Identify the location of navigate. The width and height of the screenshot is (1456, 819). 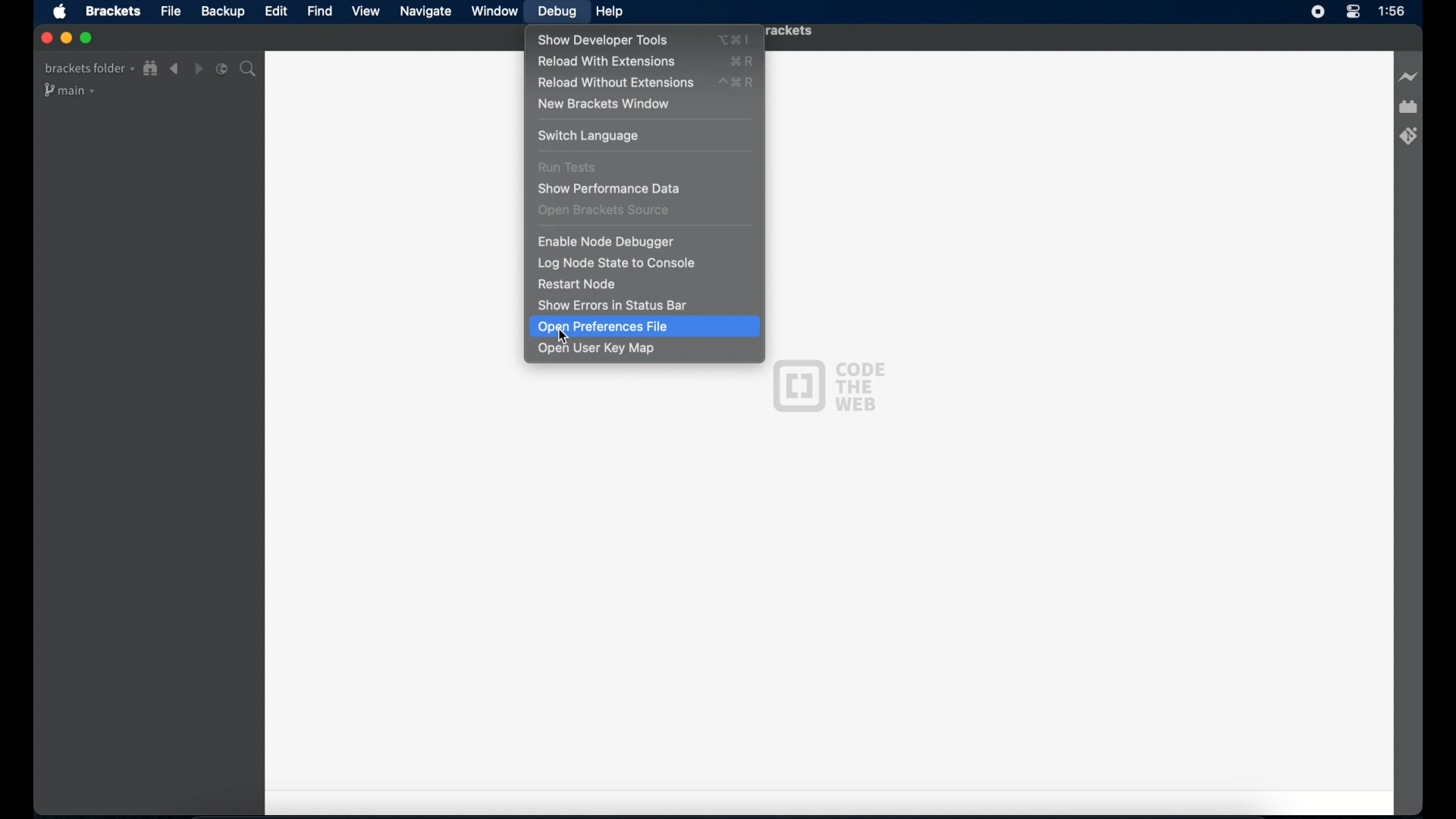
(425, 11).